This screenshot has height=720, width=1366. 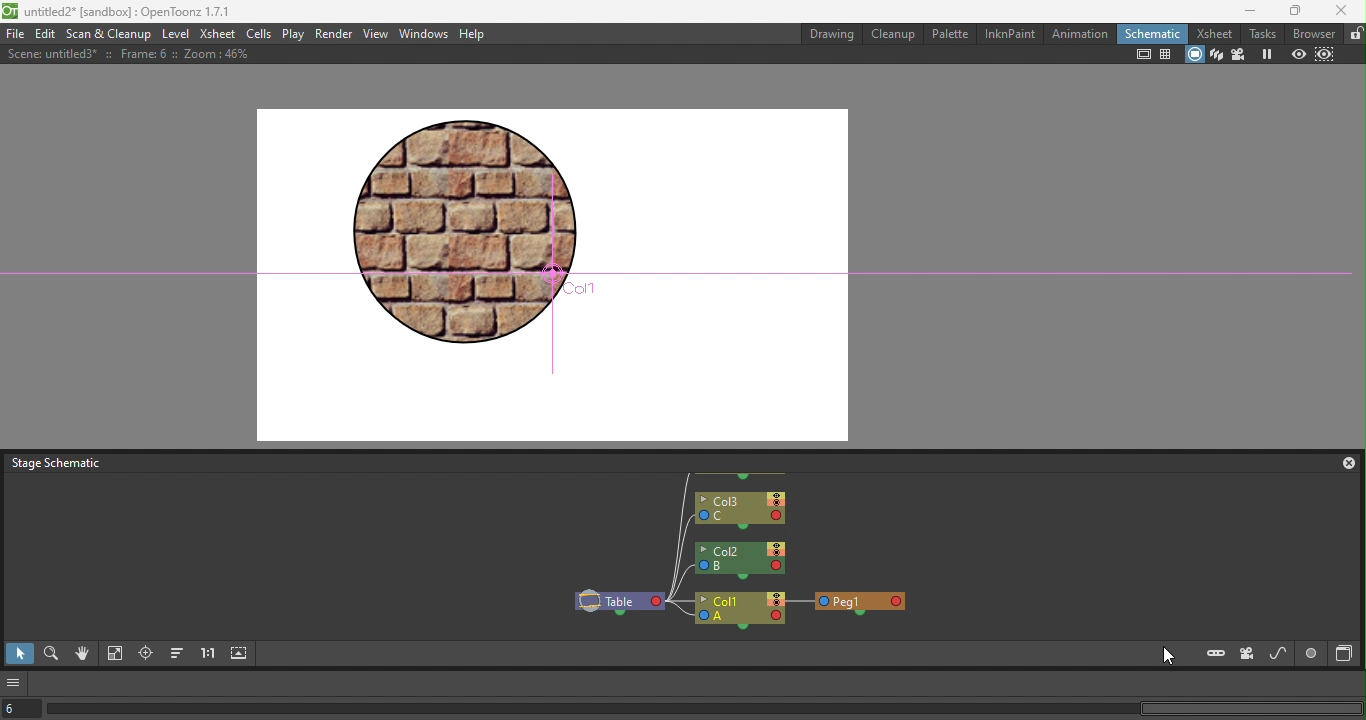 I want to click on Camera stand view, so click(x=1194, y=55).